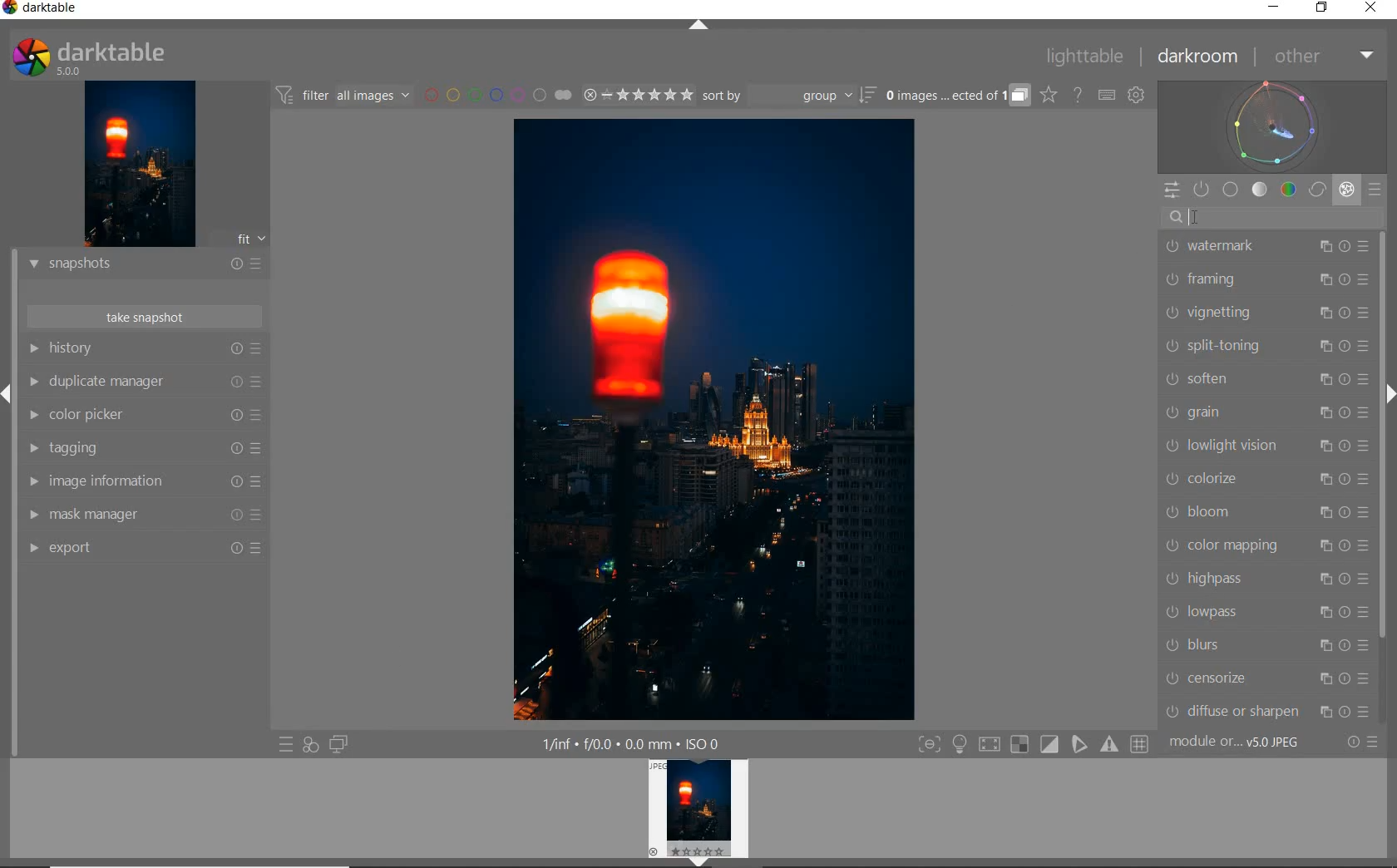 This screenshot has height=868, width=1397. Describe the element at coordinates (1344, 512) in the screenshot. I see `Reset` at that location.